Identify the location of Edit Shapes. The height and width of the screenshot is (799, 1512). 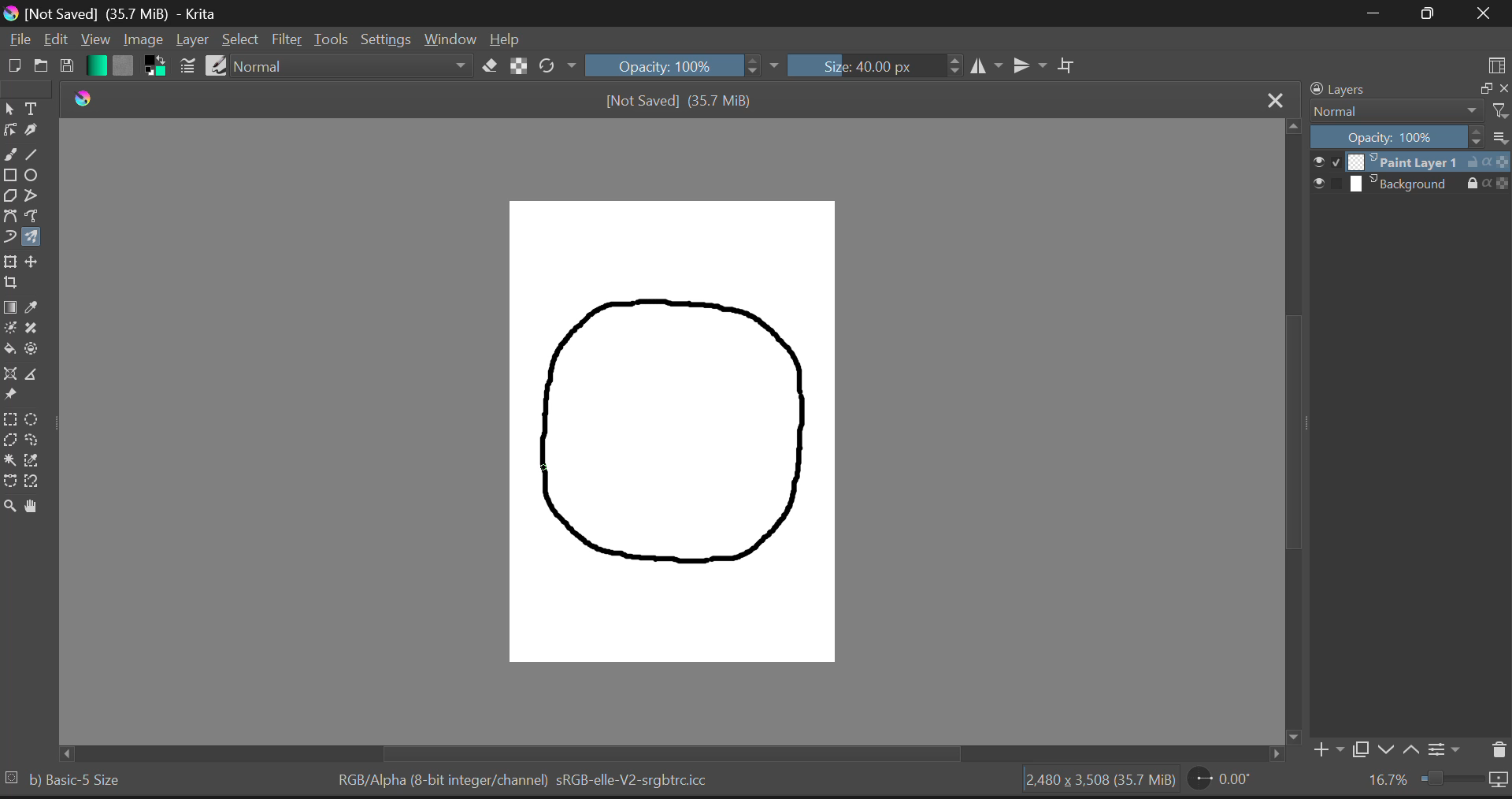
(10, 130).